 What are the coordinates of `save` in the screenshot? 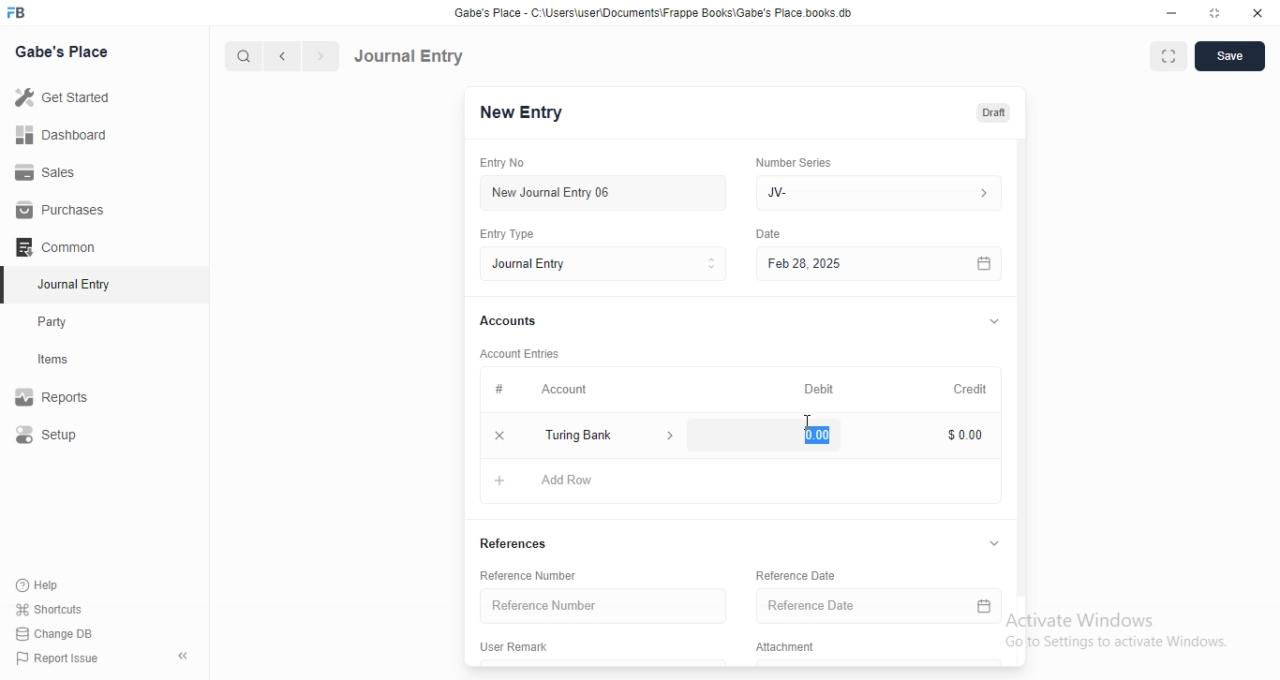 It's located at (1232, 56).